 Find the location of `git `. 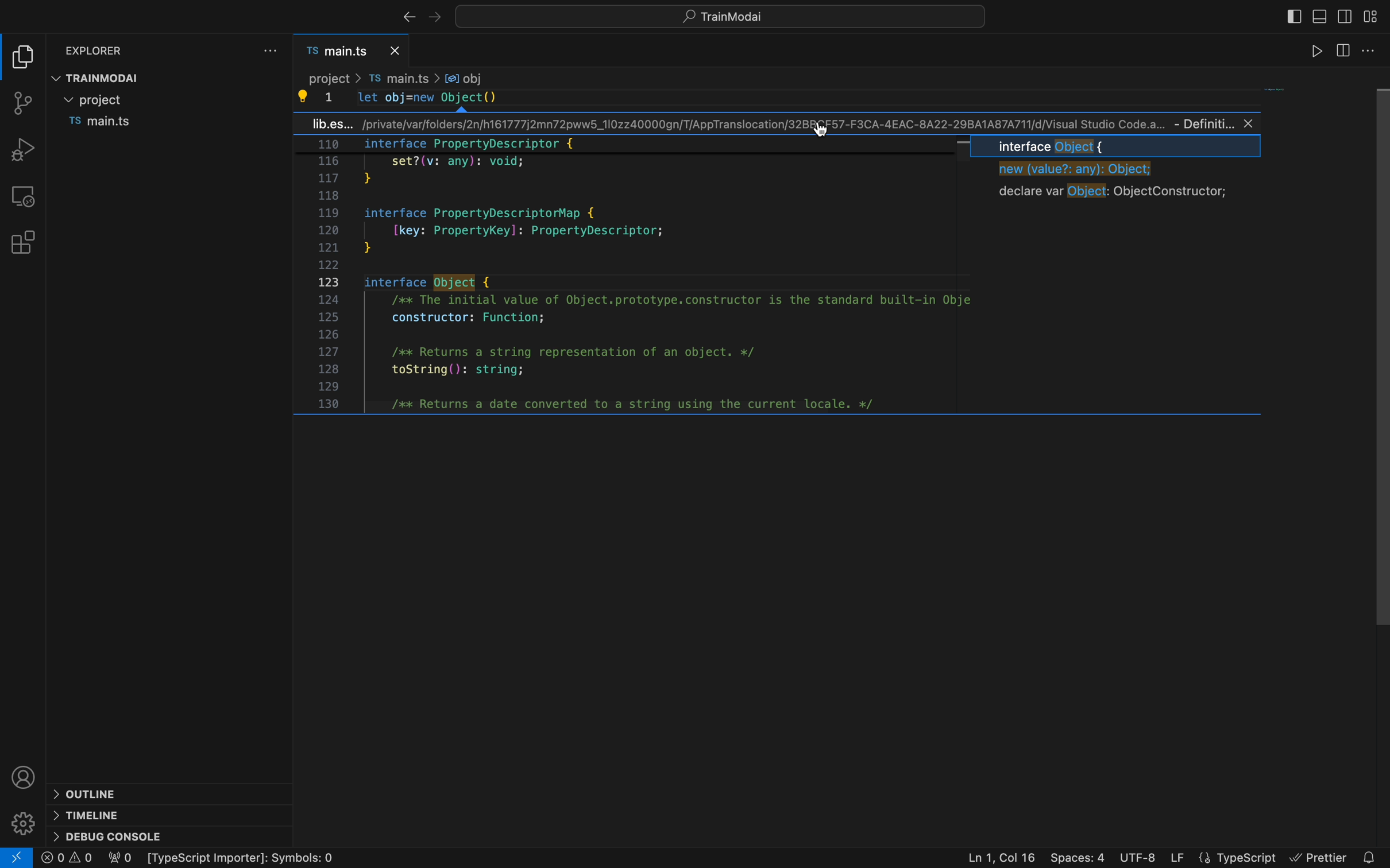

git  is located at coordinates (24, 101).